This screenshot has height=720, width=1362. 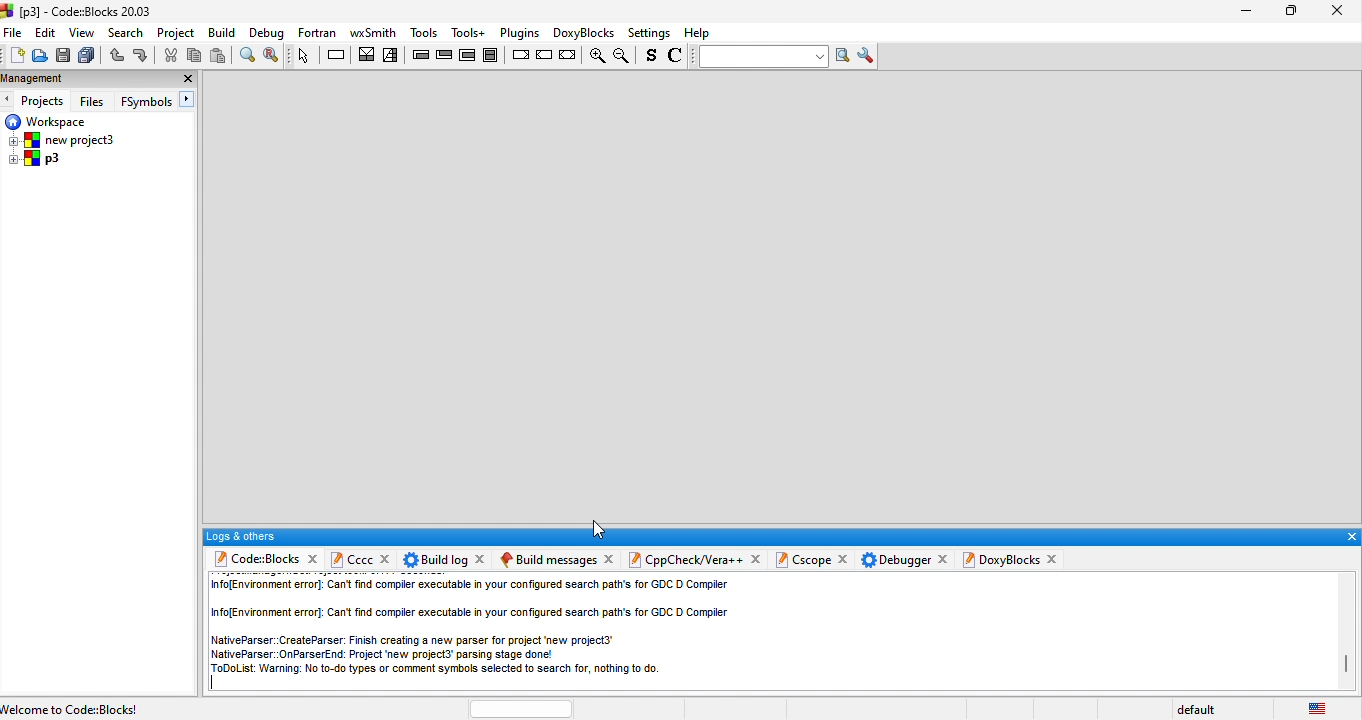 I want to click on code-blocks 20.03, so click(x=78, y=10).